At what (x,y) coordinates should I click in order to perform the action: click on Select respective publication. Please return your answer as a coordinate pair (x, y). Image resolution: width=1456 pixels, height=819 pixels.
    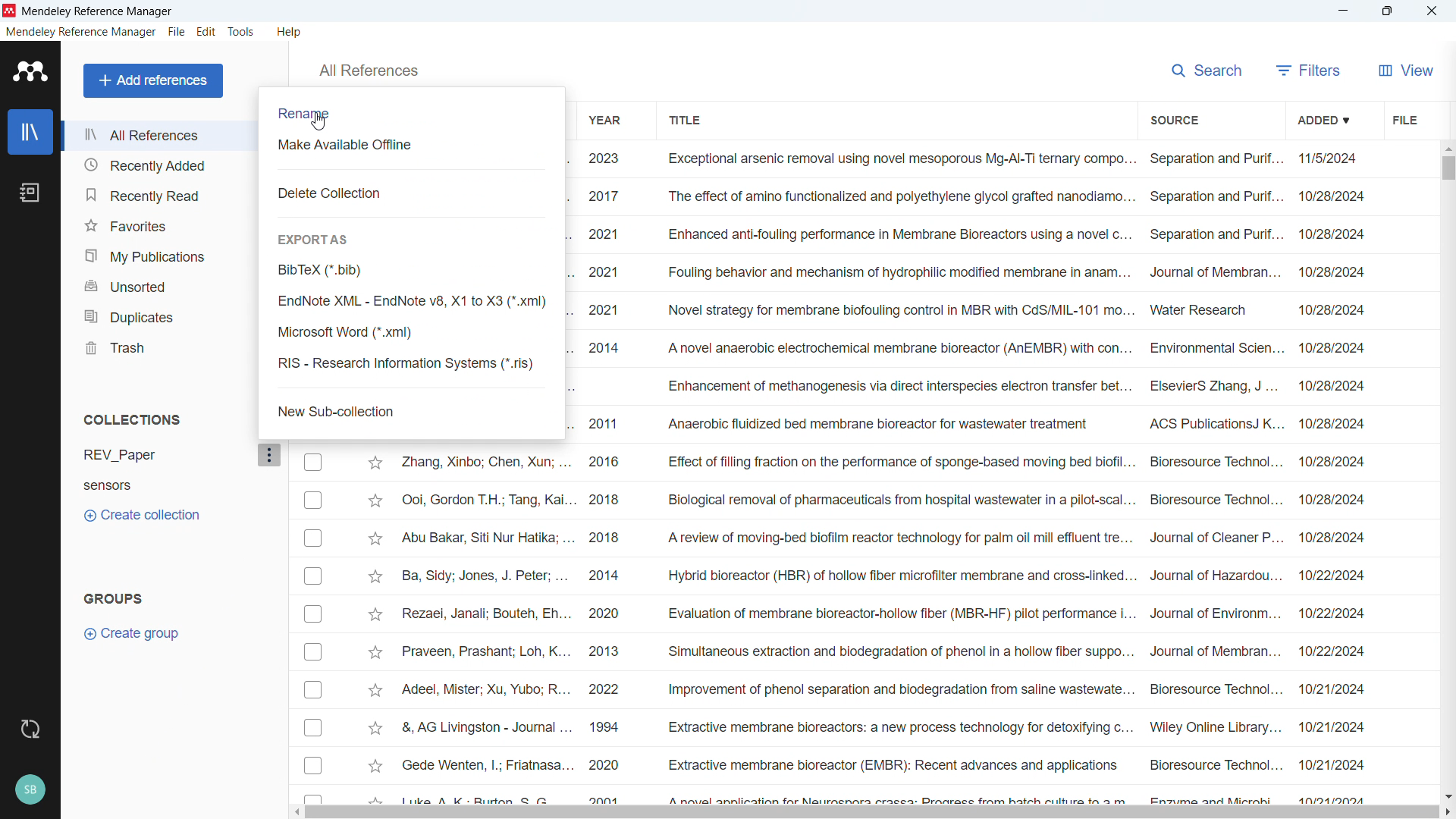
    Looking at the image, I should click on (313, 652).